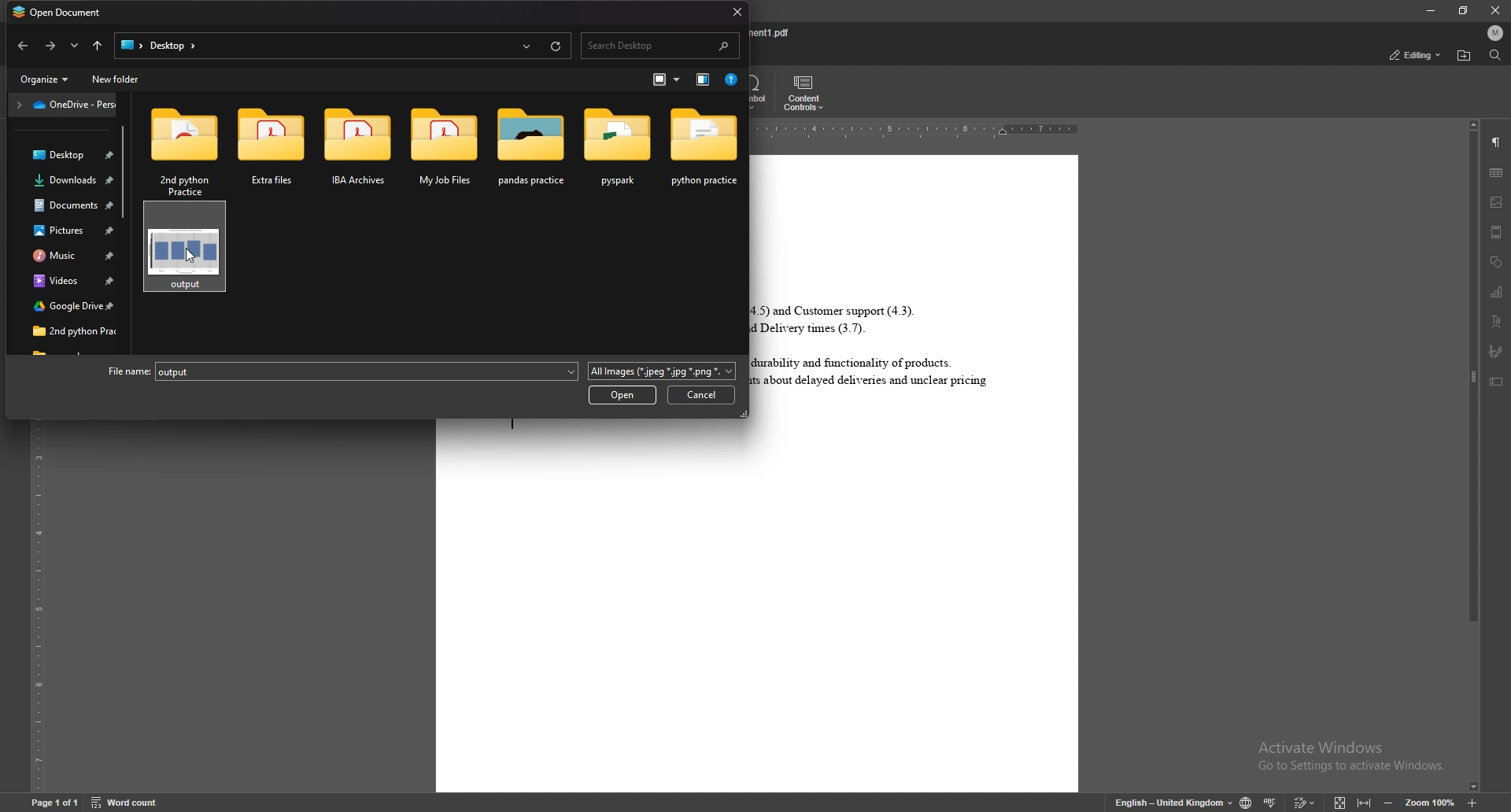  I want to click on folder, so click(618, 147).